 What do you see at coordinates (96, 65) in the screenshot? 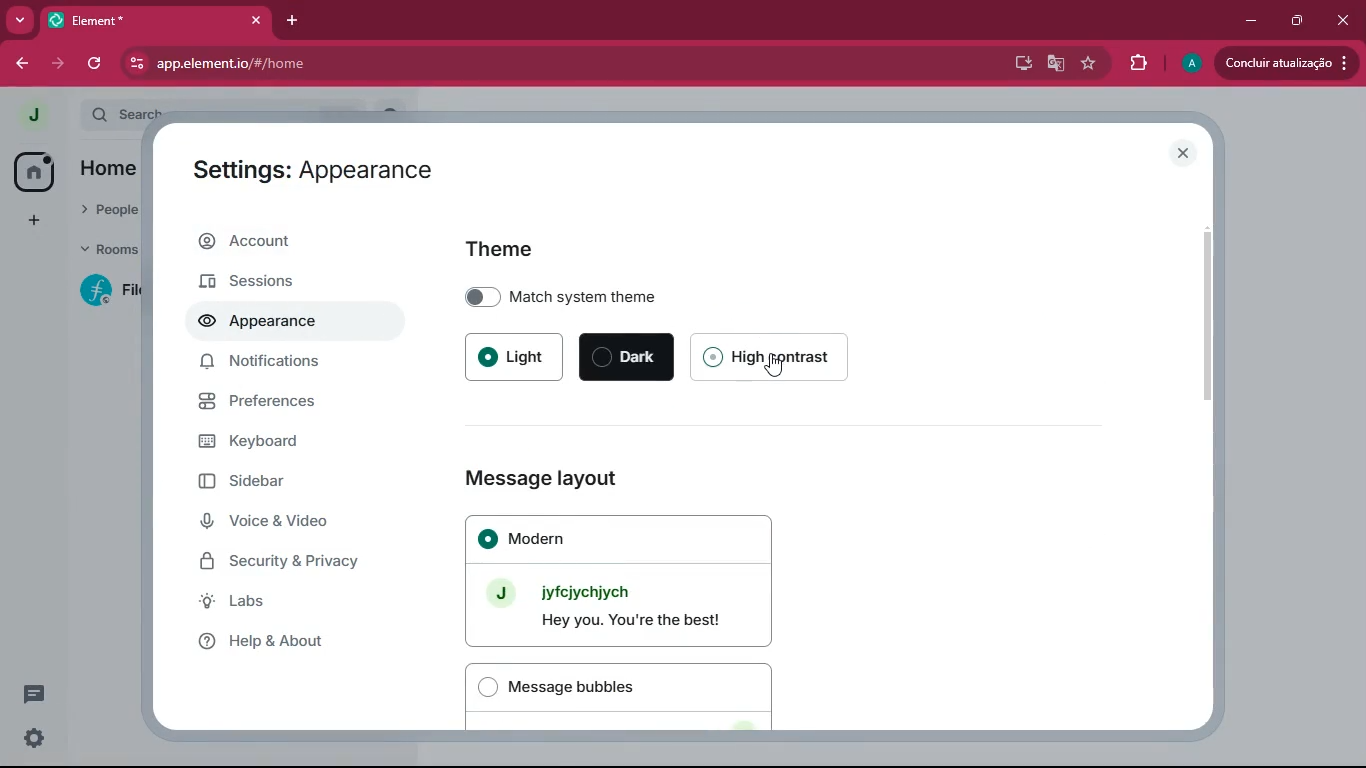
I see `refresh` at bounding box center [96, 65].